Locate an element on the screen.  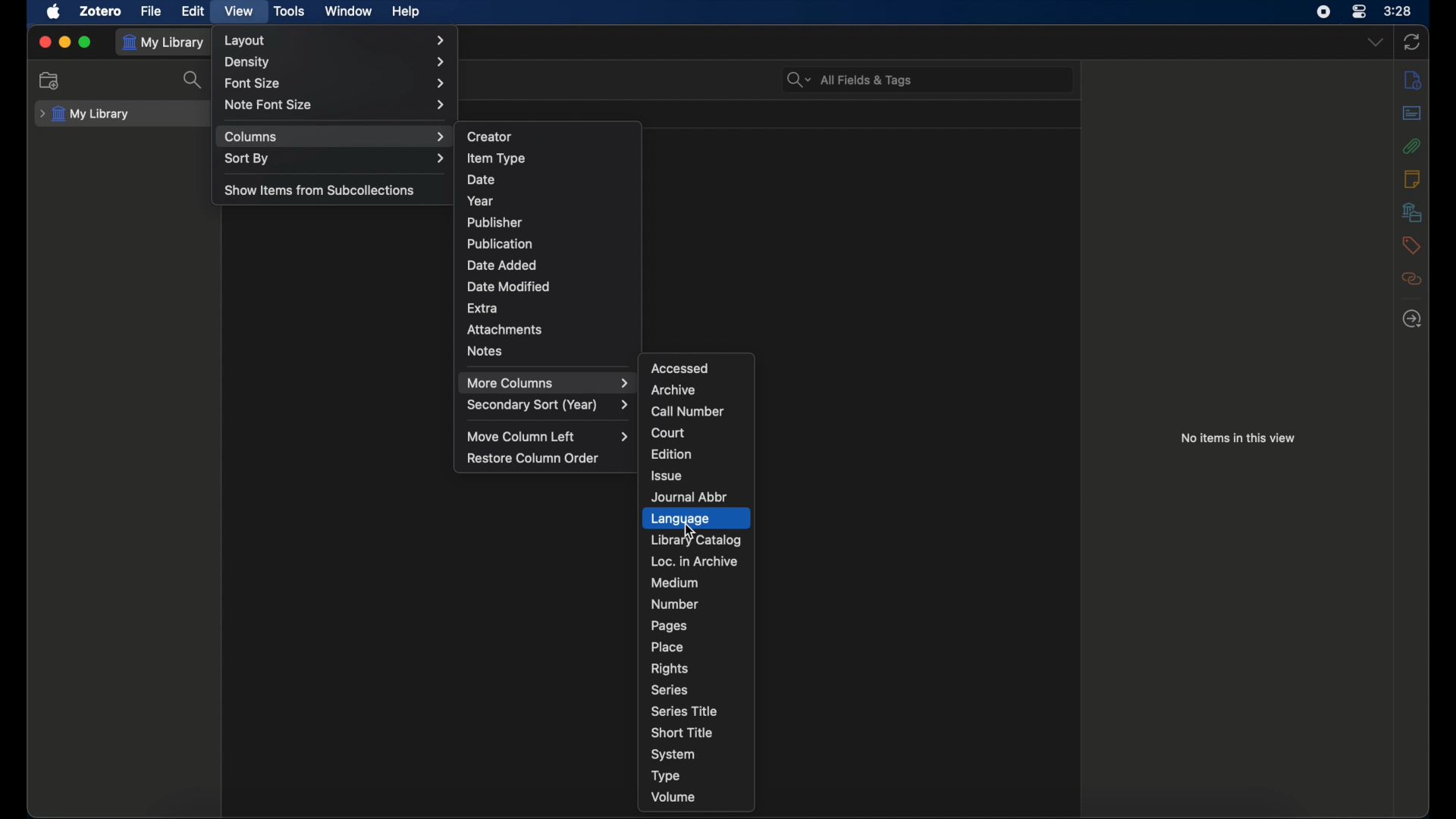
layout is located at coordinates (336, 40).